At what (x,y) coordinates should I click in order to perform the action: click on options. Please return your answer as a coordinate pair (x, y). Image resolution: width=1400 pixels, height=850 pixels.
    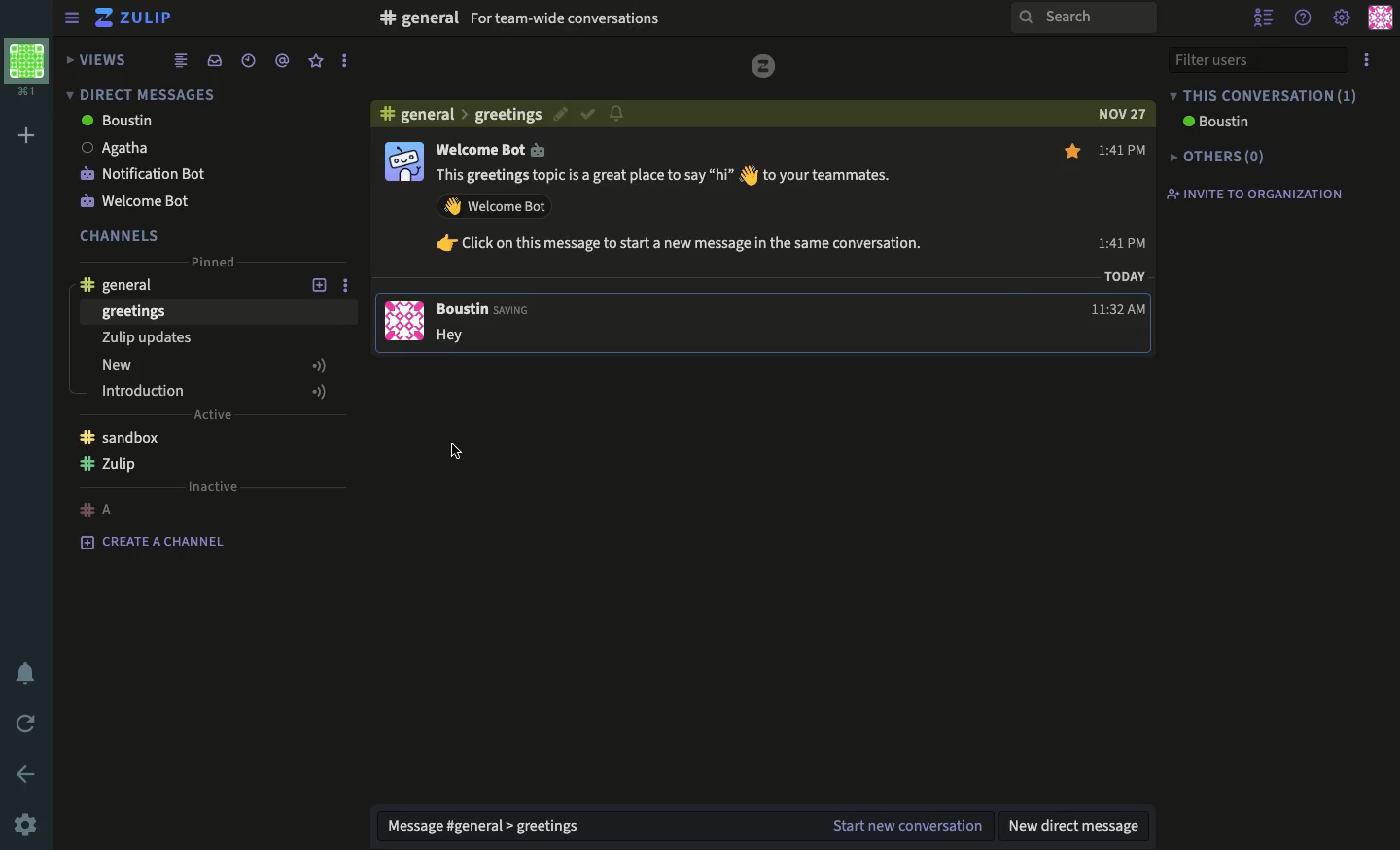
    Looking at the image, I should click on (1367, 59).